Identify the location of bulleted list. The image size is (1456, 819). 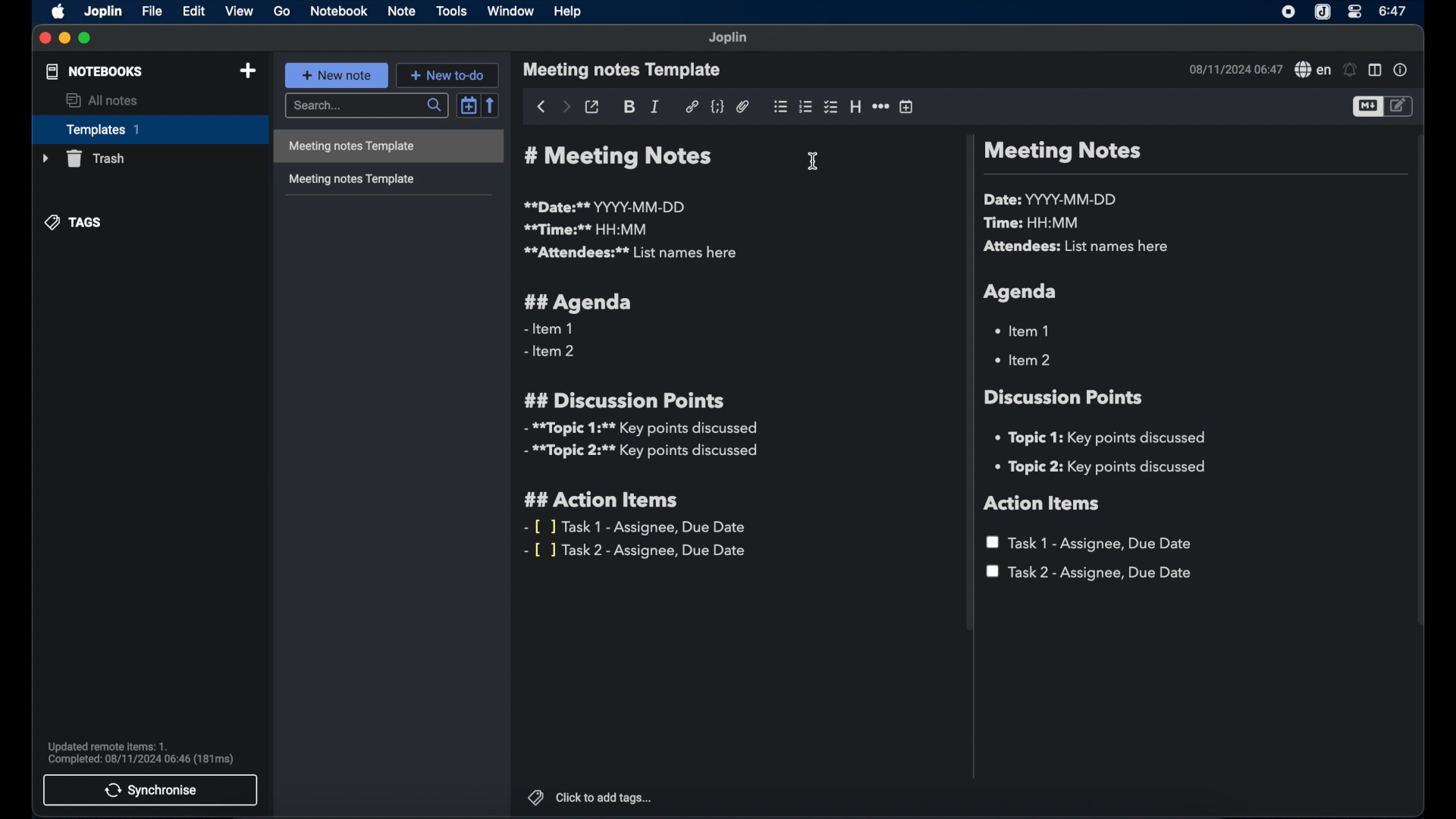
(780, 105).